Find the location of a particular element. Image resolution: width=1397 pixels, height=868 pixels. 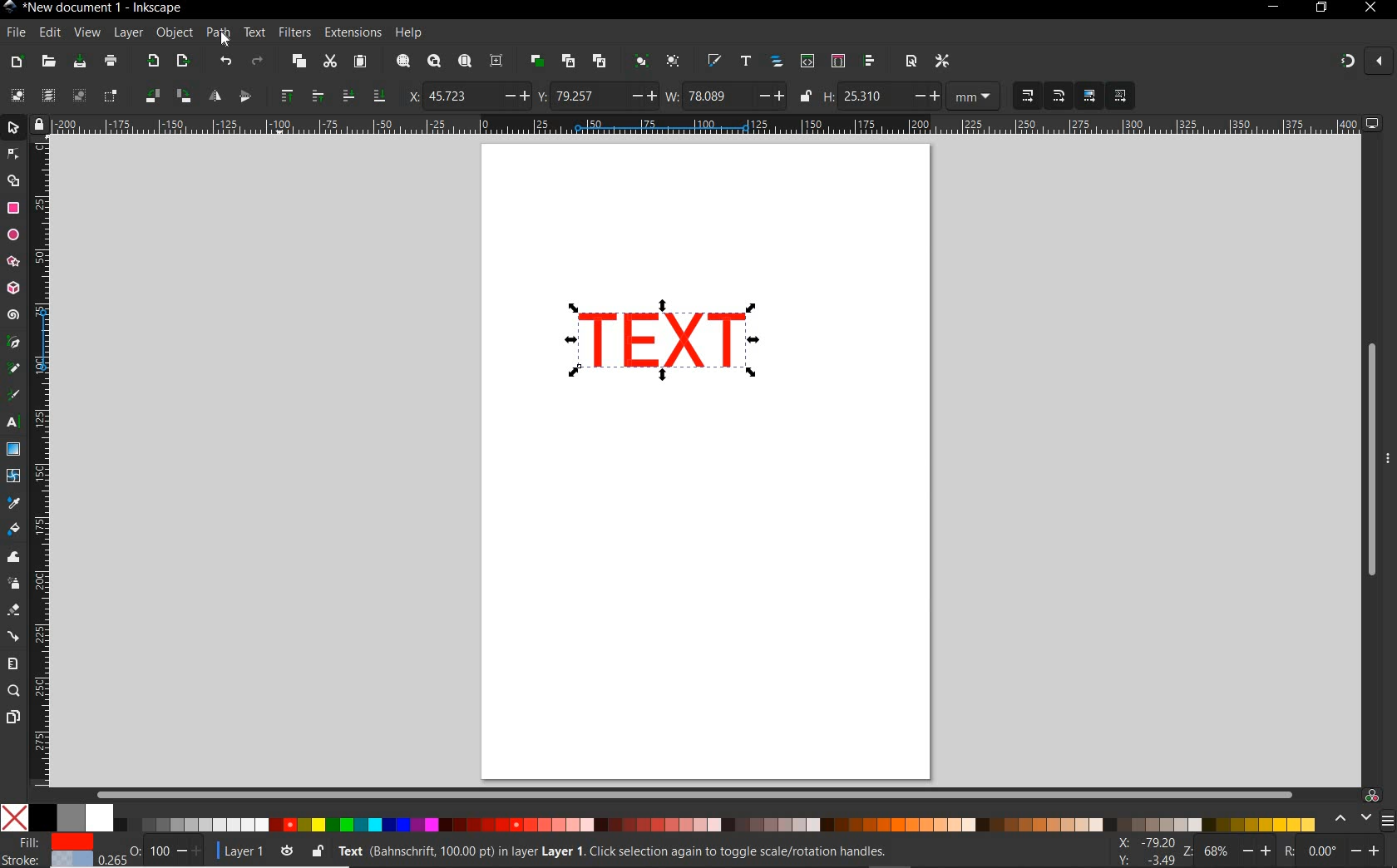

REDO is located at coordinates (259, 60).